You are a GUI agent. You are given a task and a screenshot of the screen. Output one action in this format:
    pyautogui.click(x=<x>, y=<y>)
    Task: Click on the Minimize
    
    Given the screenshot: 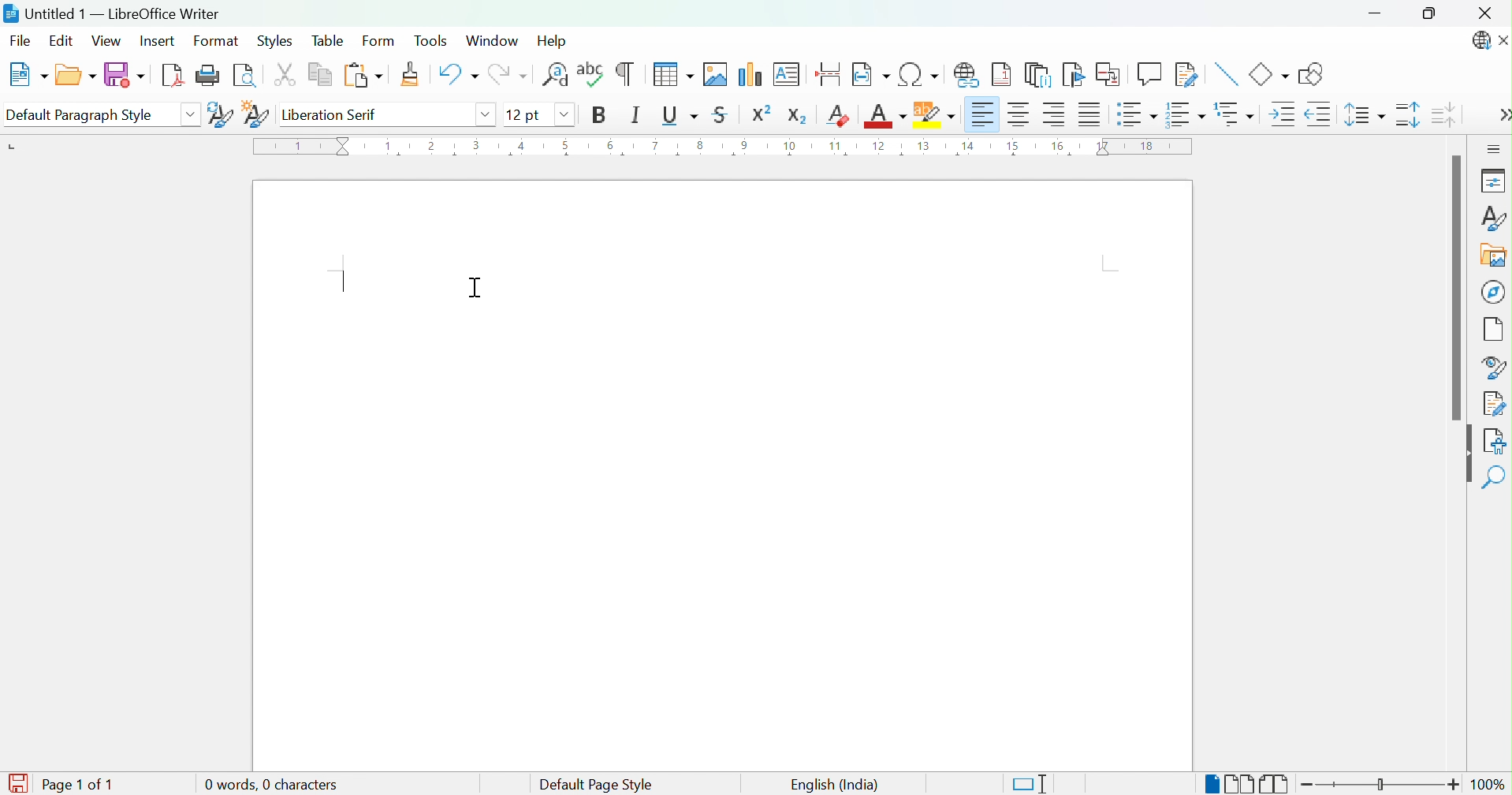 What is the action you would take?
    pyautogui.click(x=1379, y=15)
    